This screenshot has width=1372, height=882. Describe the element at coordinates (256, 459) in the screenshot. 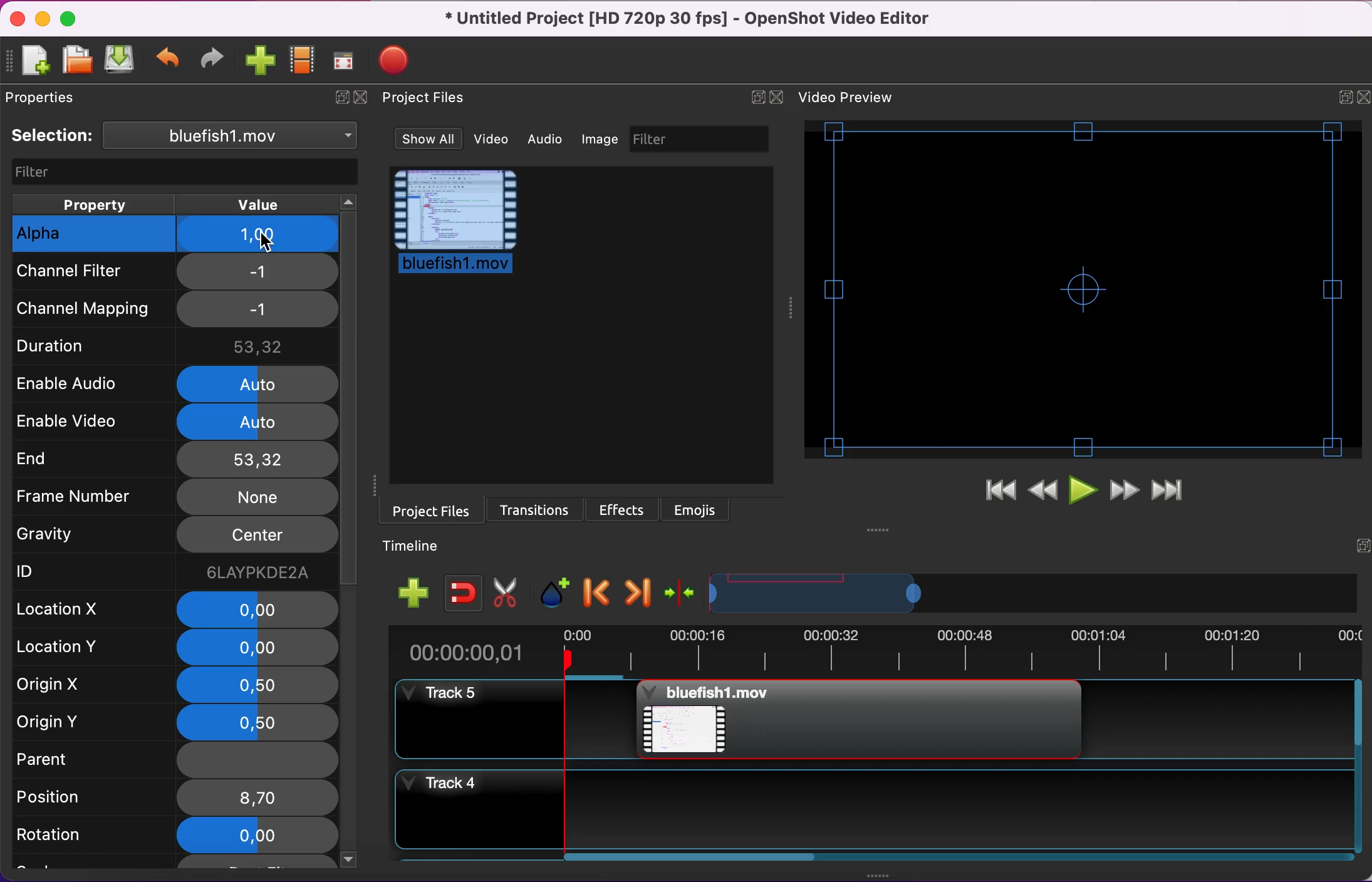

I see `53,32` at that location.